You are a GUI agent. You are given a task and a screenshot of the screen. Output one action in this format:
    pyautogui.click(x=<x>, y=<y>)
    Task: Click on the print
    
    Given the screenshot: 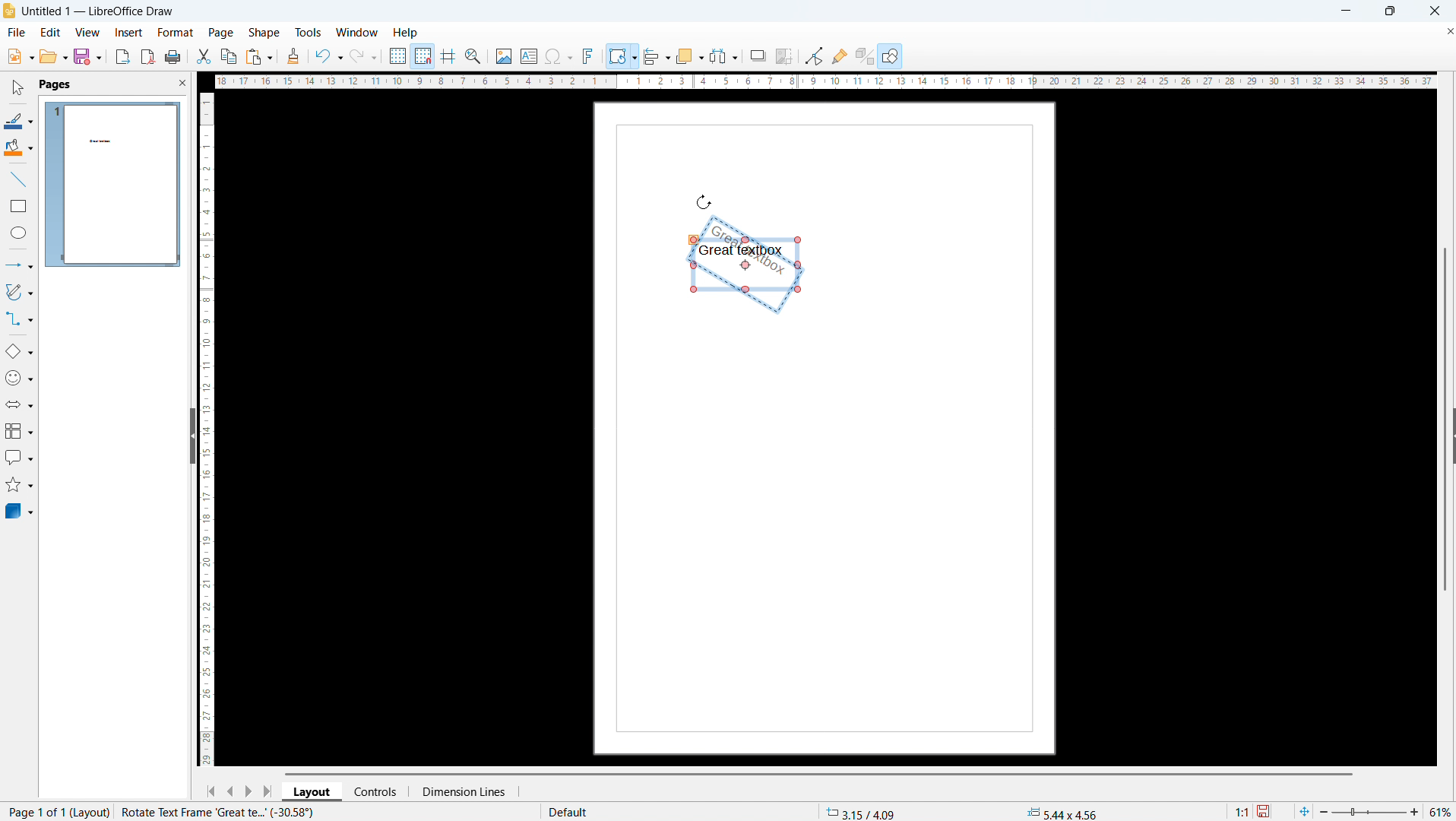 What is the action you would take?
    pyautogui.click(x=173, y=57)
    